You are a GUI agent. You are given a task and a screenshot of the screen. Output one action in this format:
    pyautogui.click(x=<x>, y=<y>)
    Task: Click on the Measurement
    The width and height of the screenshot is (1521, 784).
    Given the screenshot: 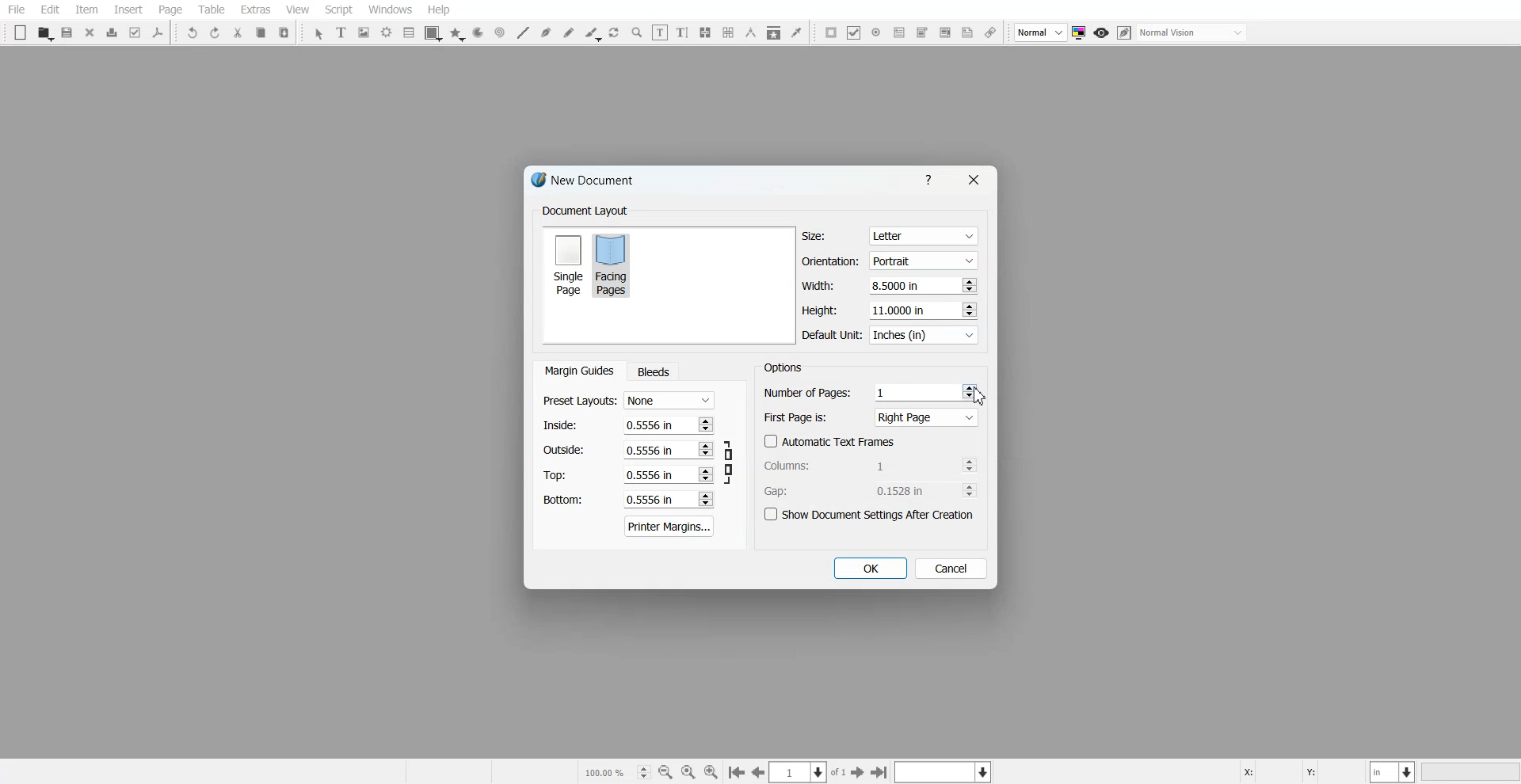 What is the action you would take?
    pyautogui.click(x=751, y=32)
    